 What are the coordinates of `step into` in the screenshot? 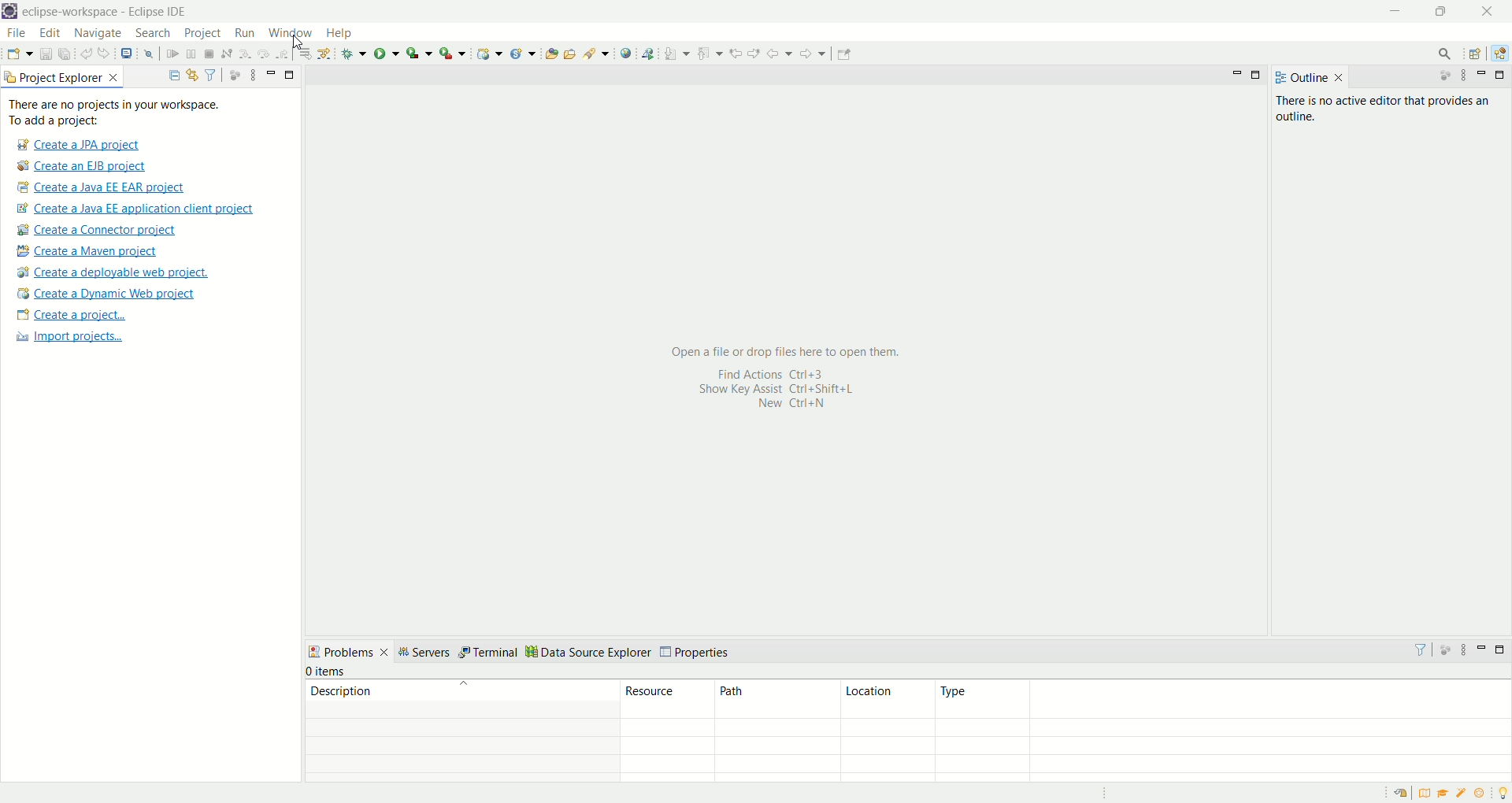 It's located at (245, 52).